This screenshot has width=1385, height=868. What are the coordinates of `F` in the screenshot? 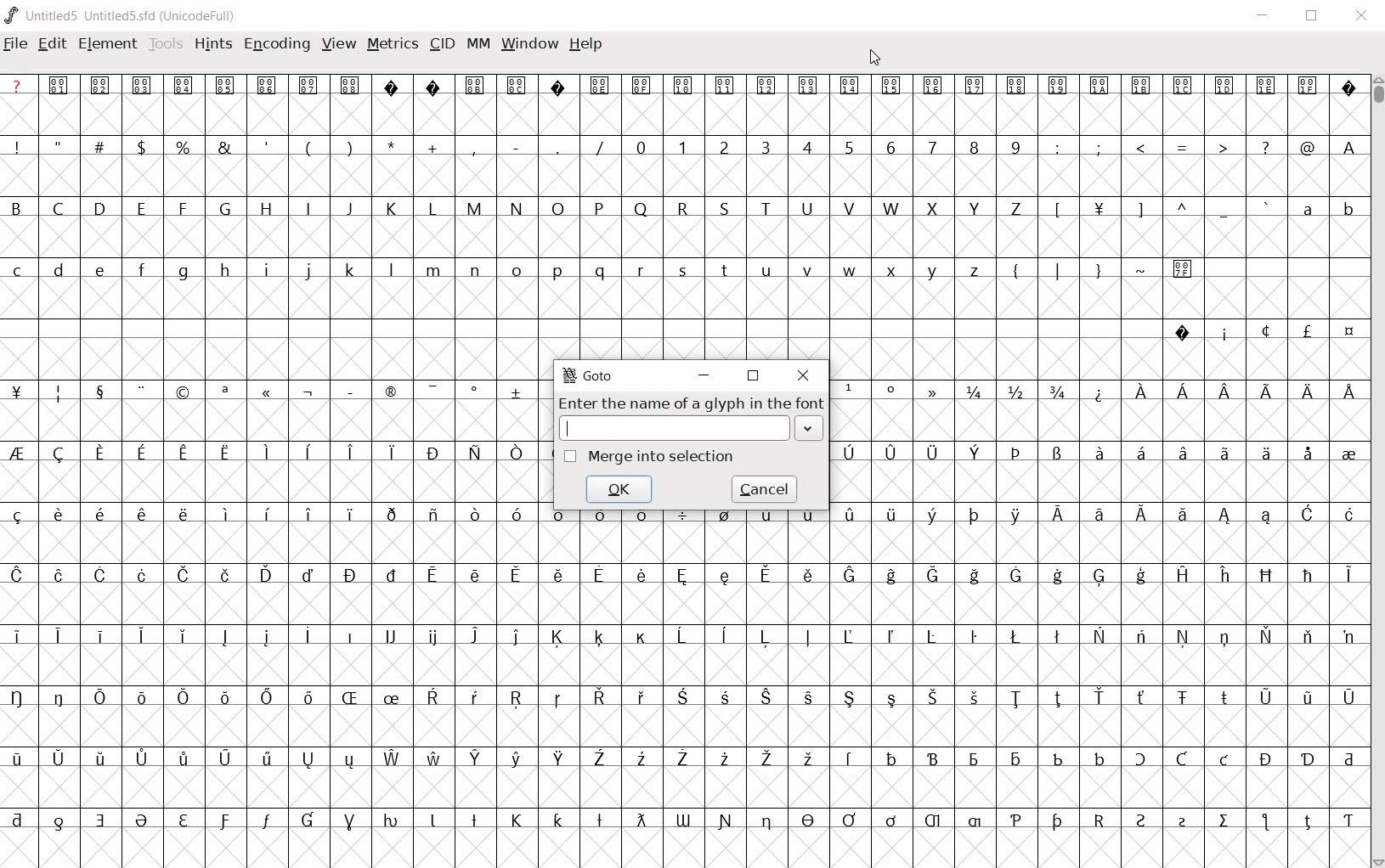 It's located at (182, 209).